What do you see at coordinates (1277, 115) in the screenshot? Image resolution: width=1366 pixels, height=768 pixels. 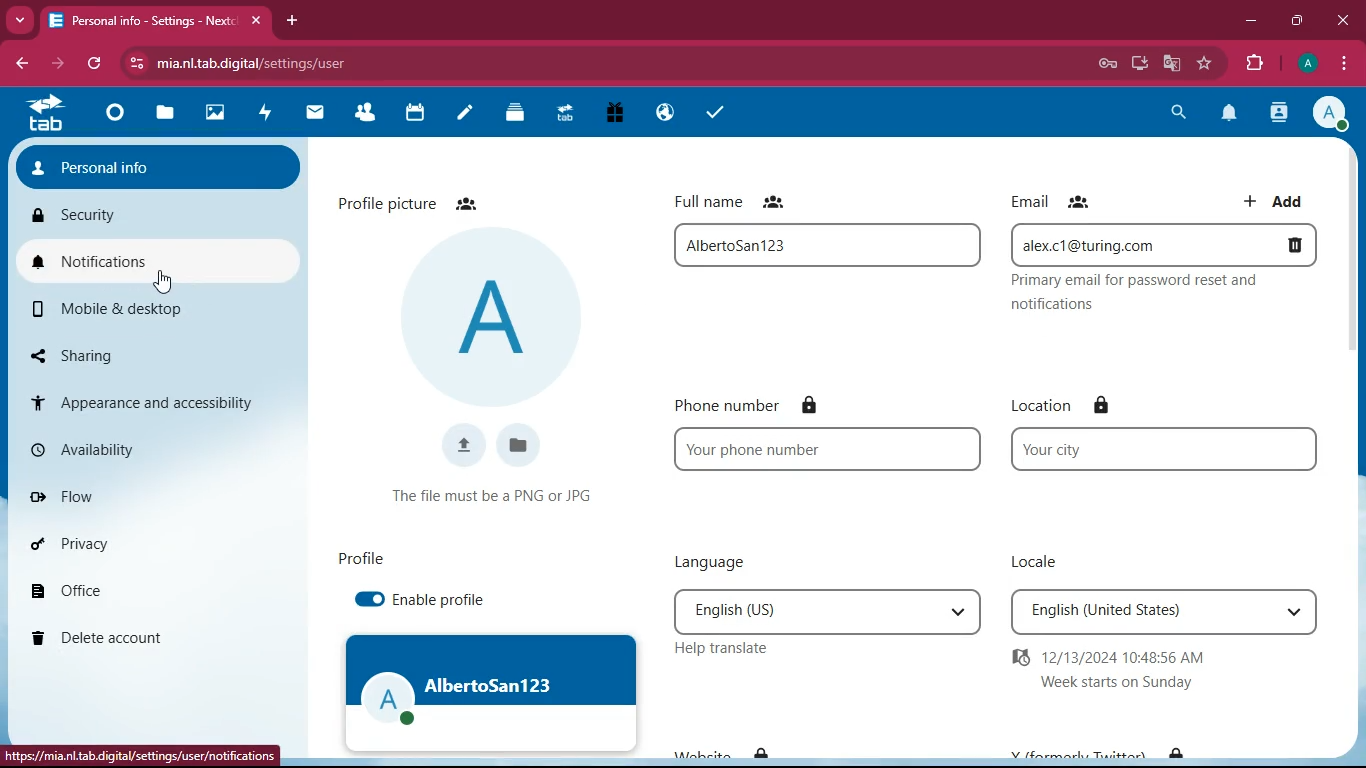 I see `contacts` at bounding box center [1277, 115].